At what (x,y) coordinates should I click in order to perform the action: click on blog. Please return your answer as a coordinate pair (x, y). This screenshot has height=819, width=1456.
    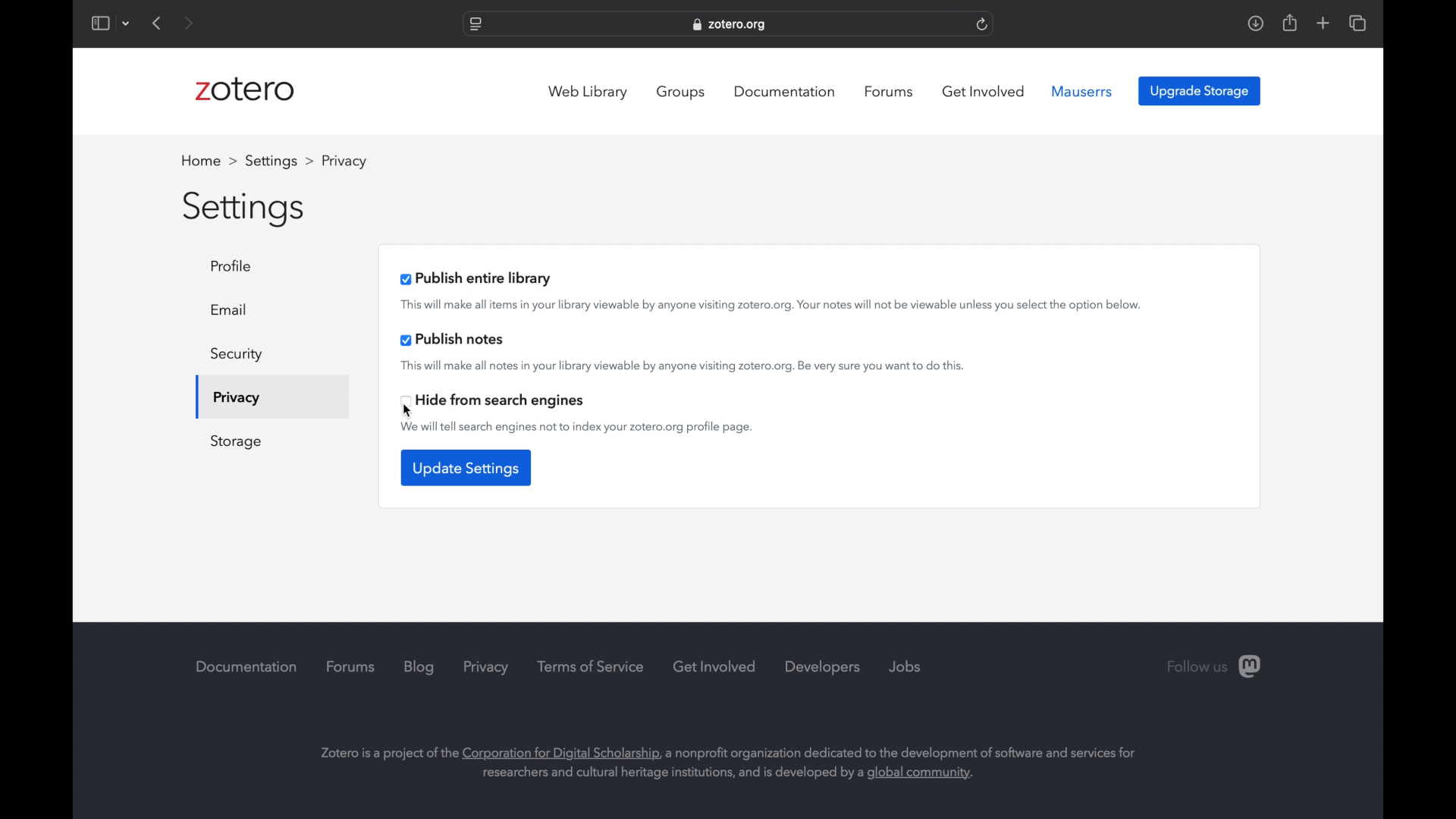
    Looking at the image, I should click on (419, 667).